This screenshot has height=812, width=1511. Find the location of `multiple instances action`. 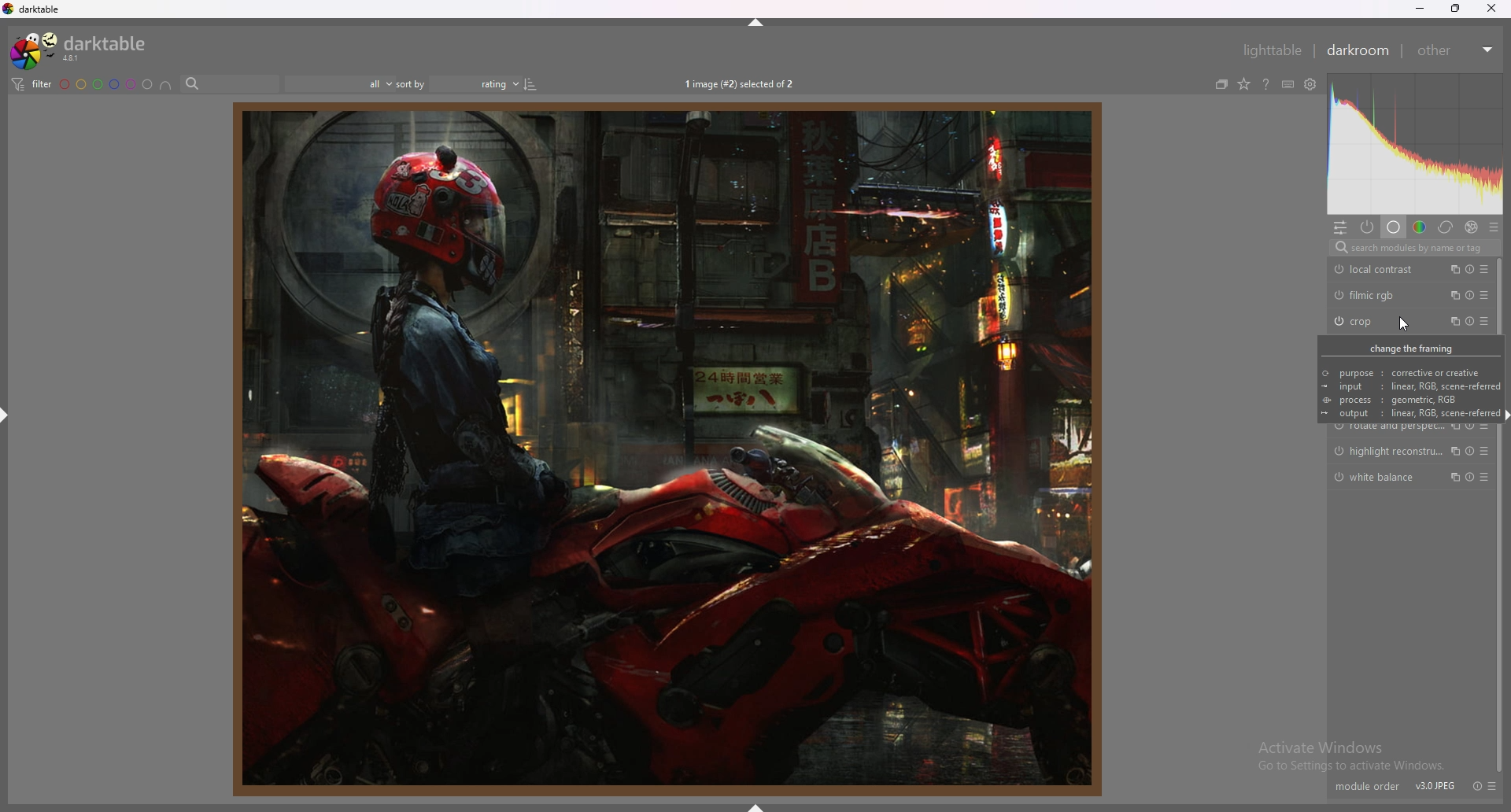

multiple instances action is located at coordinates (1452, 268).